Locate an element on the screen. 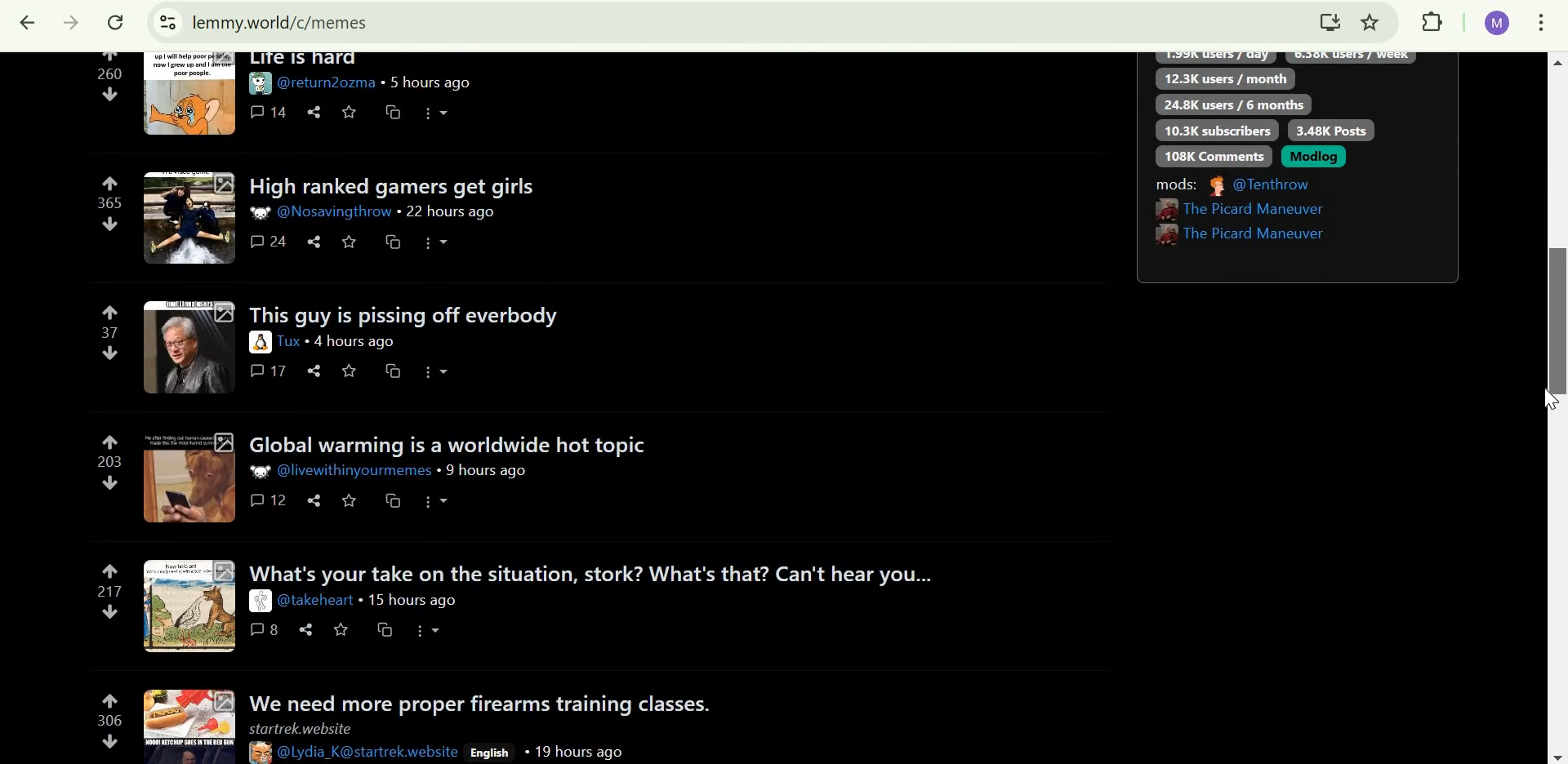 This screenshot has width=1568, height=764. what's your take on the situation, stork? What's that? Can't hear you... is located at coordinates (593, 572).